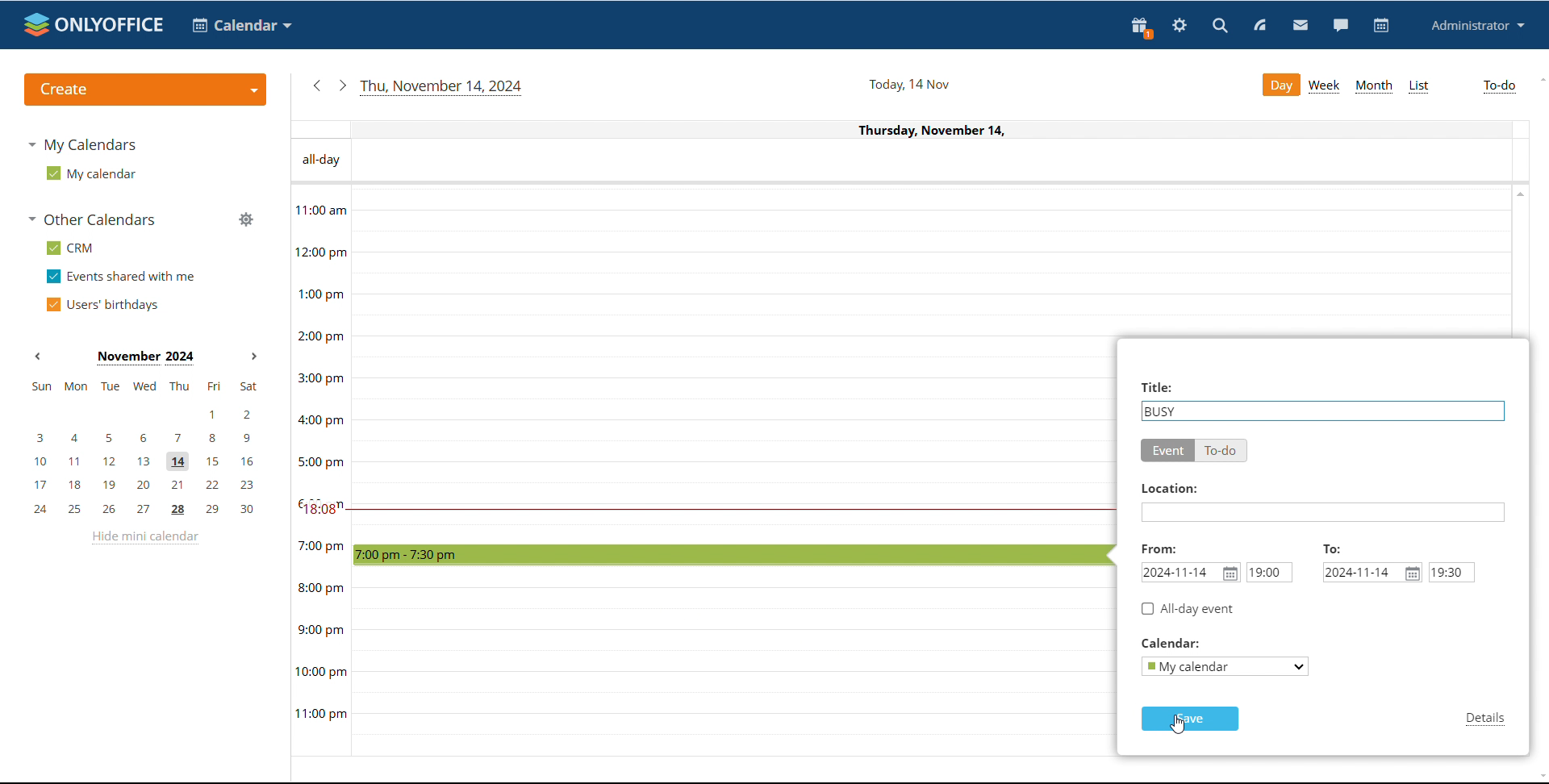  Describe the element at coordinates (1280, 85) in the screenshot. I see `day view` at that location.